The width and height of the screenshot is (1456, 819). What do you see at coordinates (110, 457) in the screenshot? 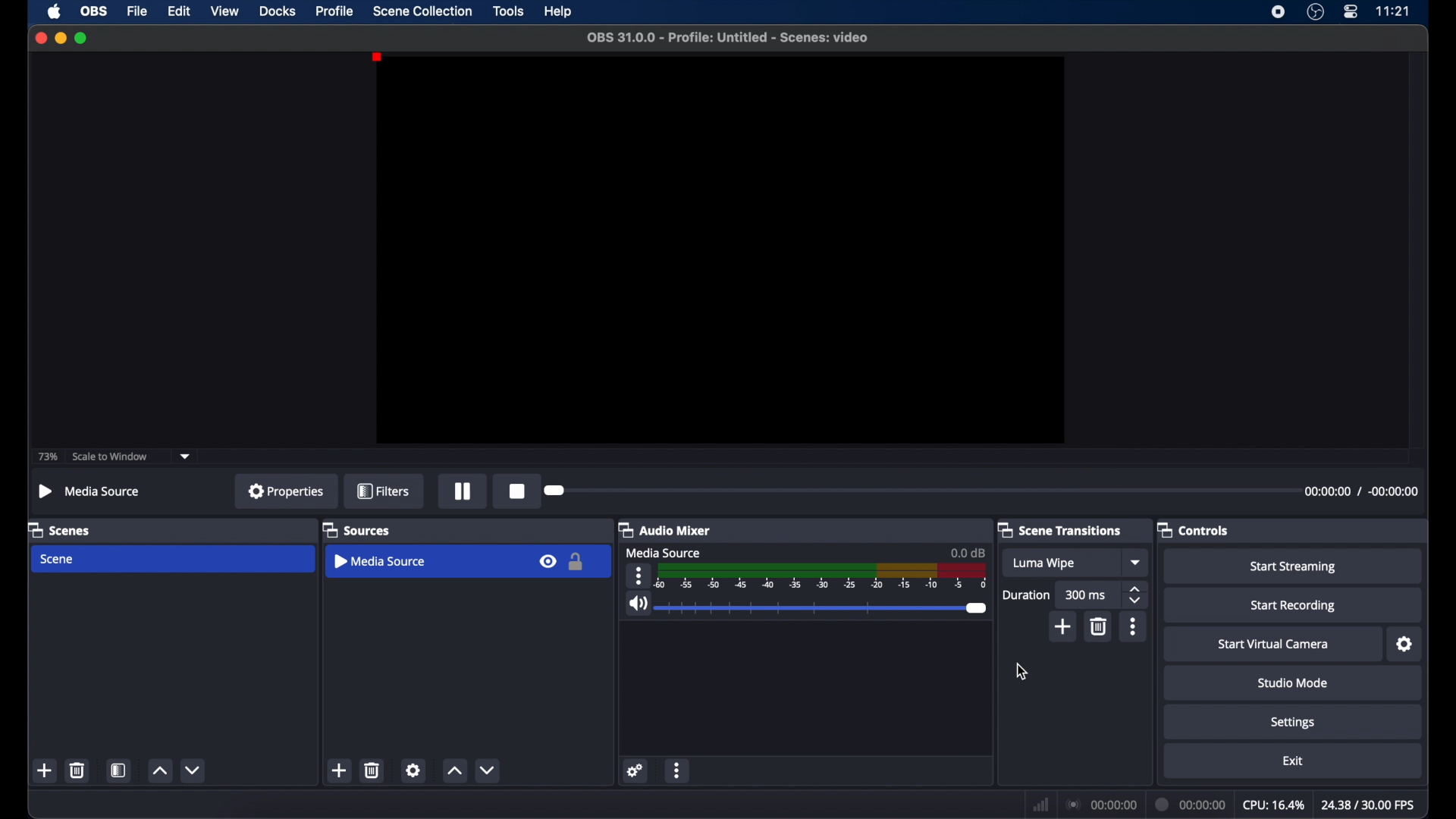
I see `scale to window` at bounding box center [110, 457].